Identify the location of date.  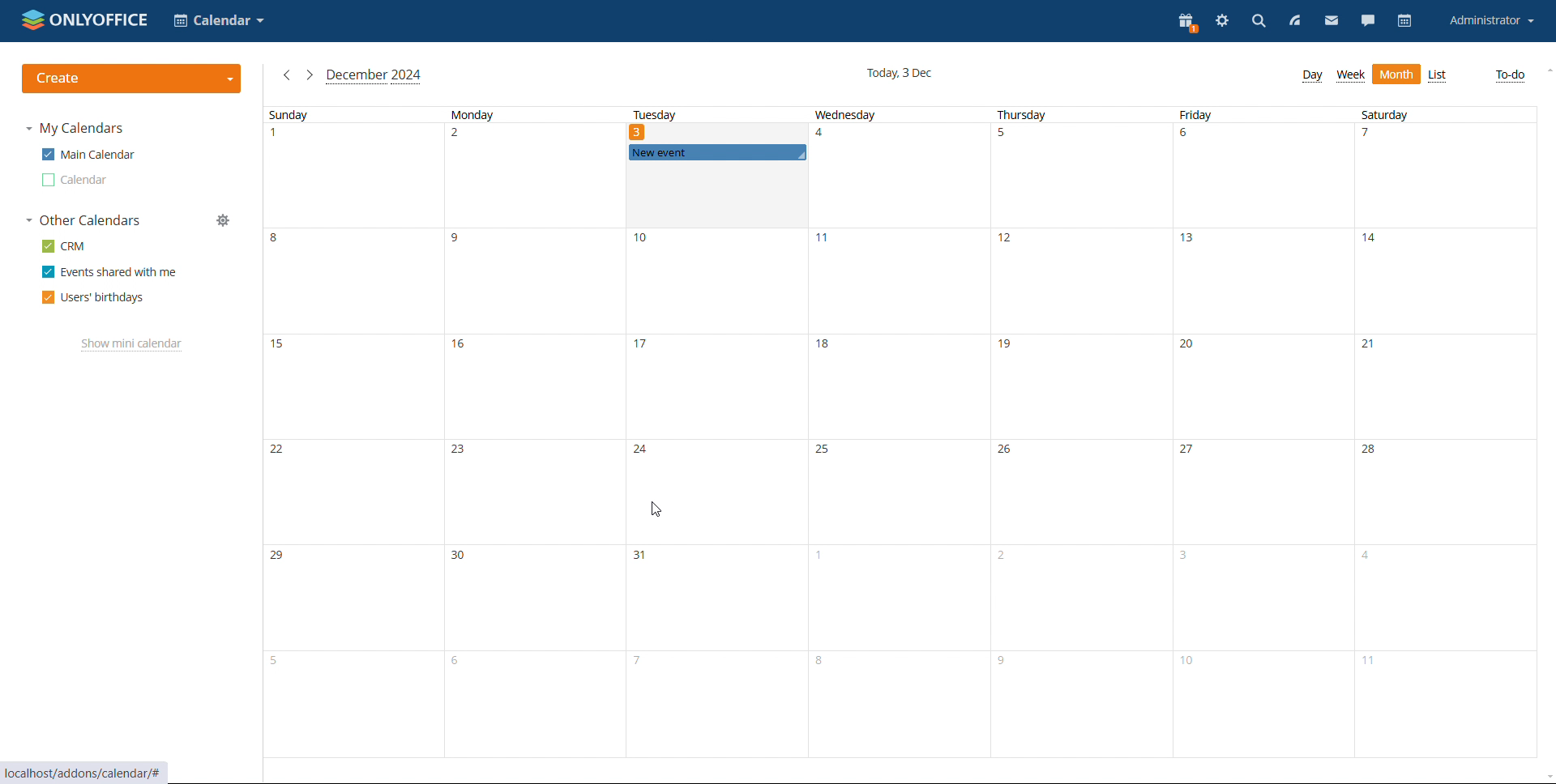
(1267, 706).